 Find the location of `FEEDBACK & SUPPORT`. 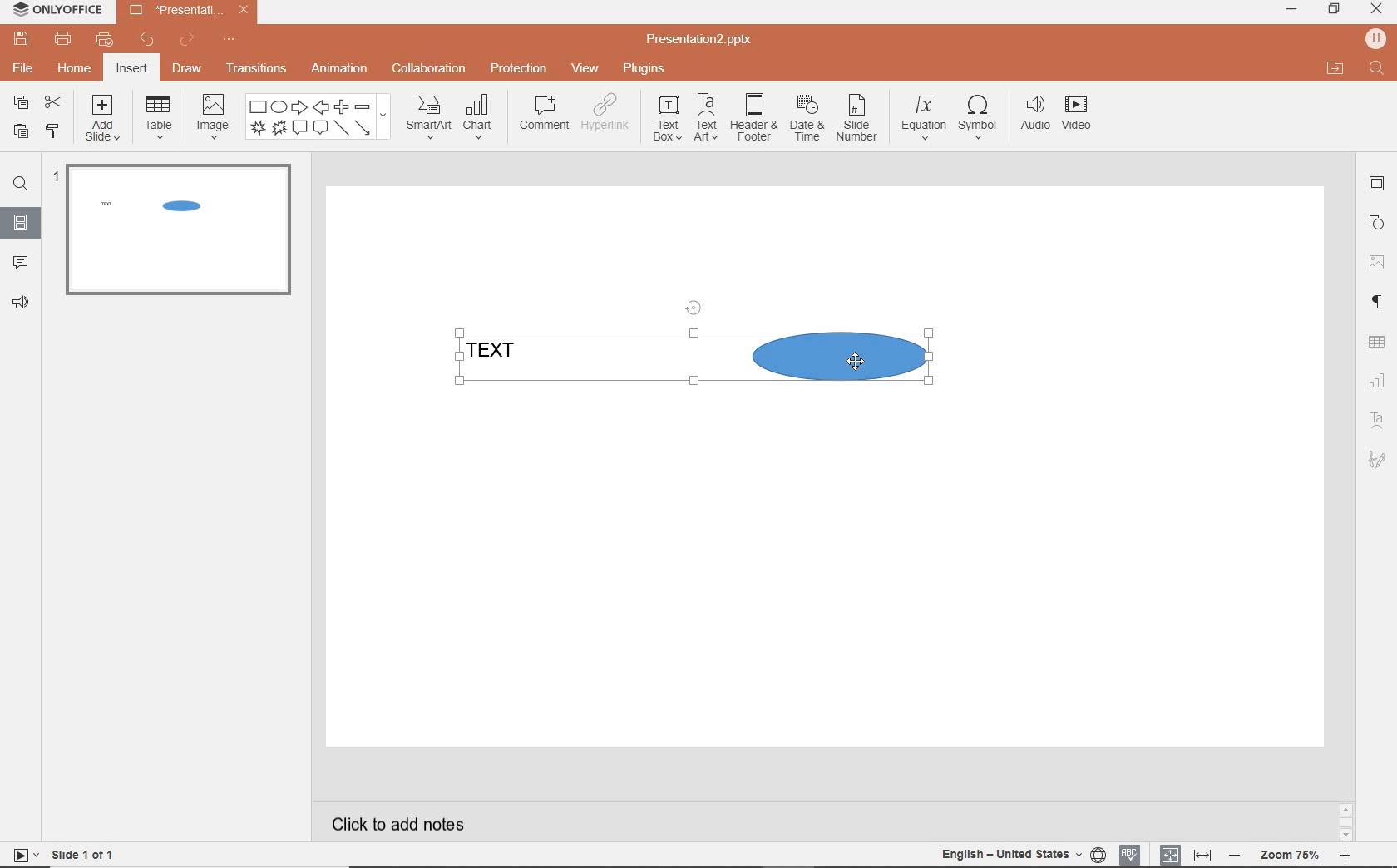

FEEDBACK & SUPPORT is located at coordinates (20, 302).